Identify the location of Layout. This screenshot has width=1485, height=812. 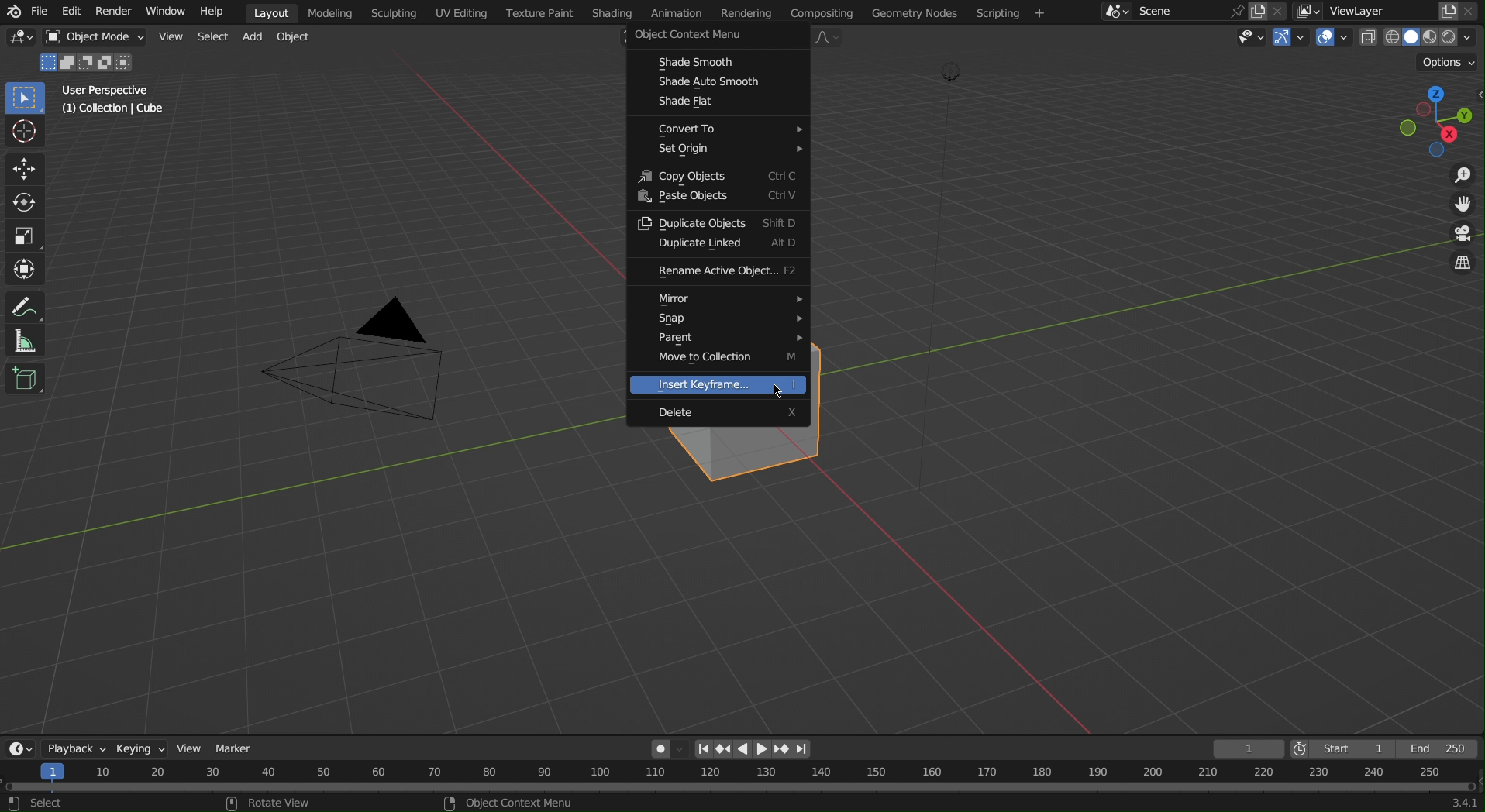
(267, 11).